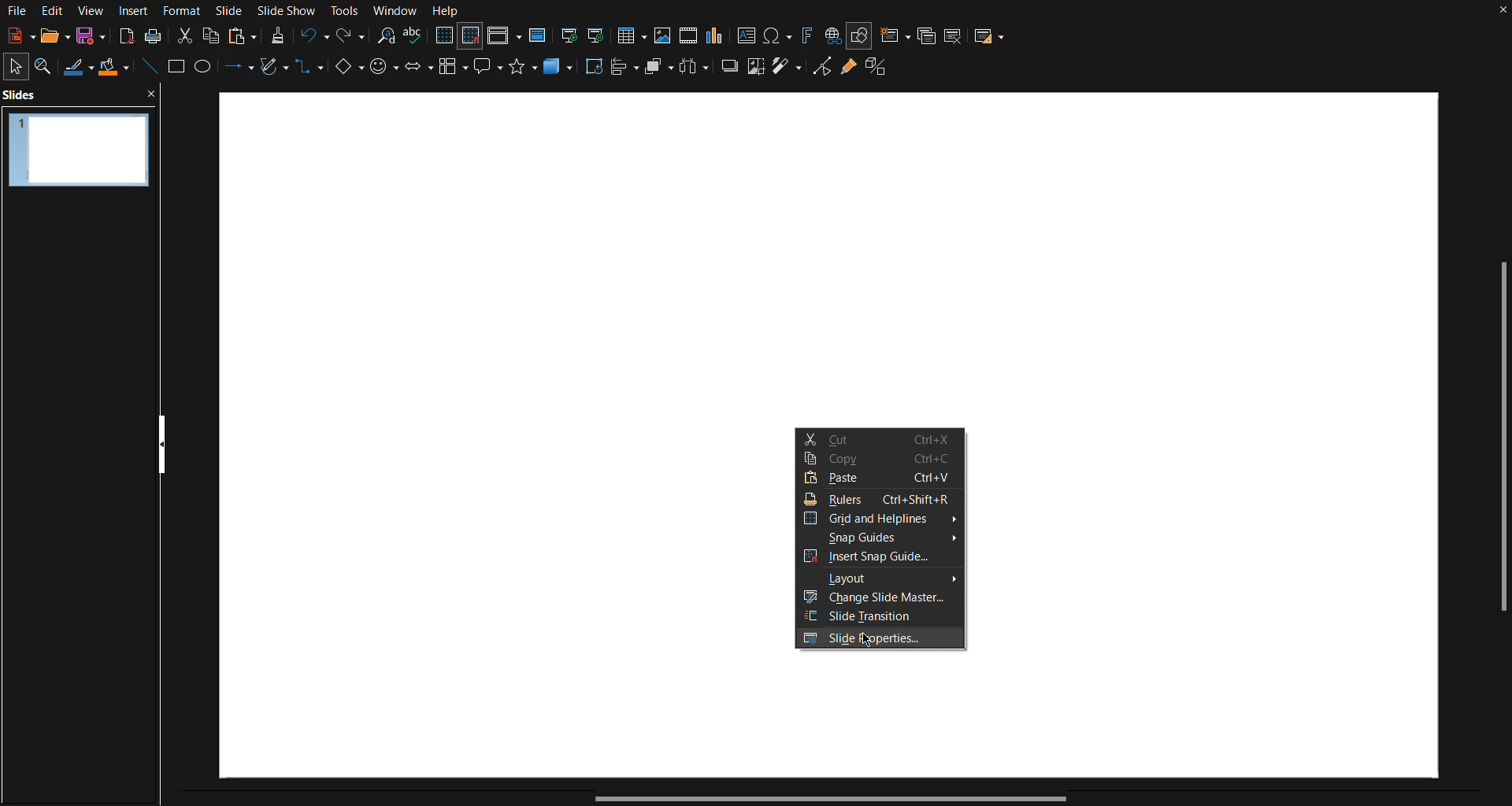  What do you see at coordinates (231, 10) in the screenshot?
I see `Slide` at bounding box center [231, 10].